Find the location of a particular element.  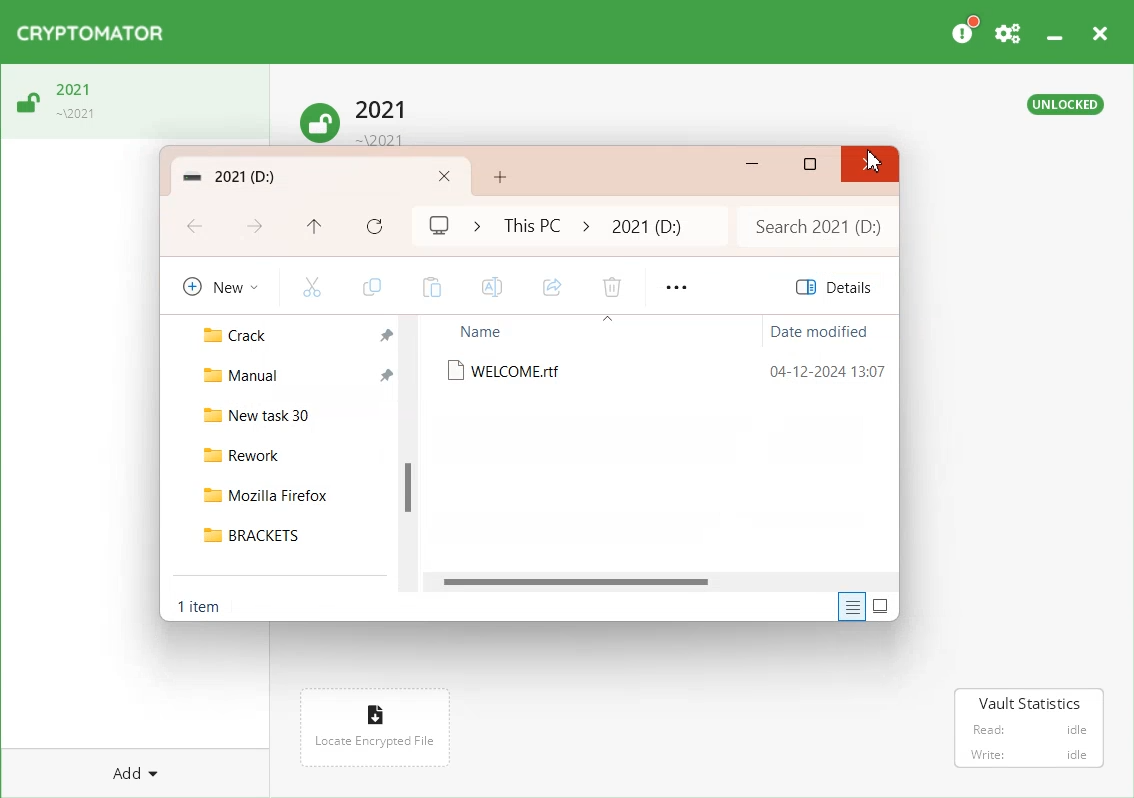

More is located at coordinates (675, 288).